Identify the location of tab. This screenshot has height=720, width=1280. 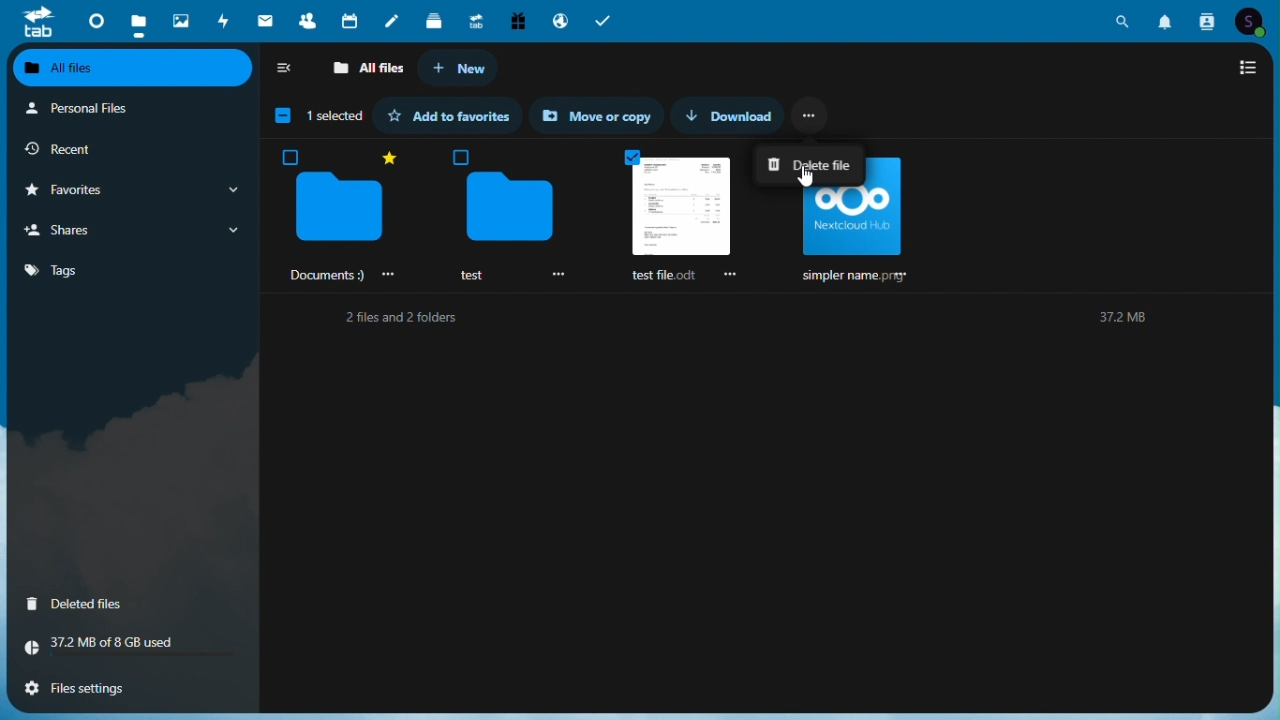
(36, 23).